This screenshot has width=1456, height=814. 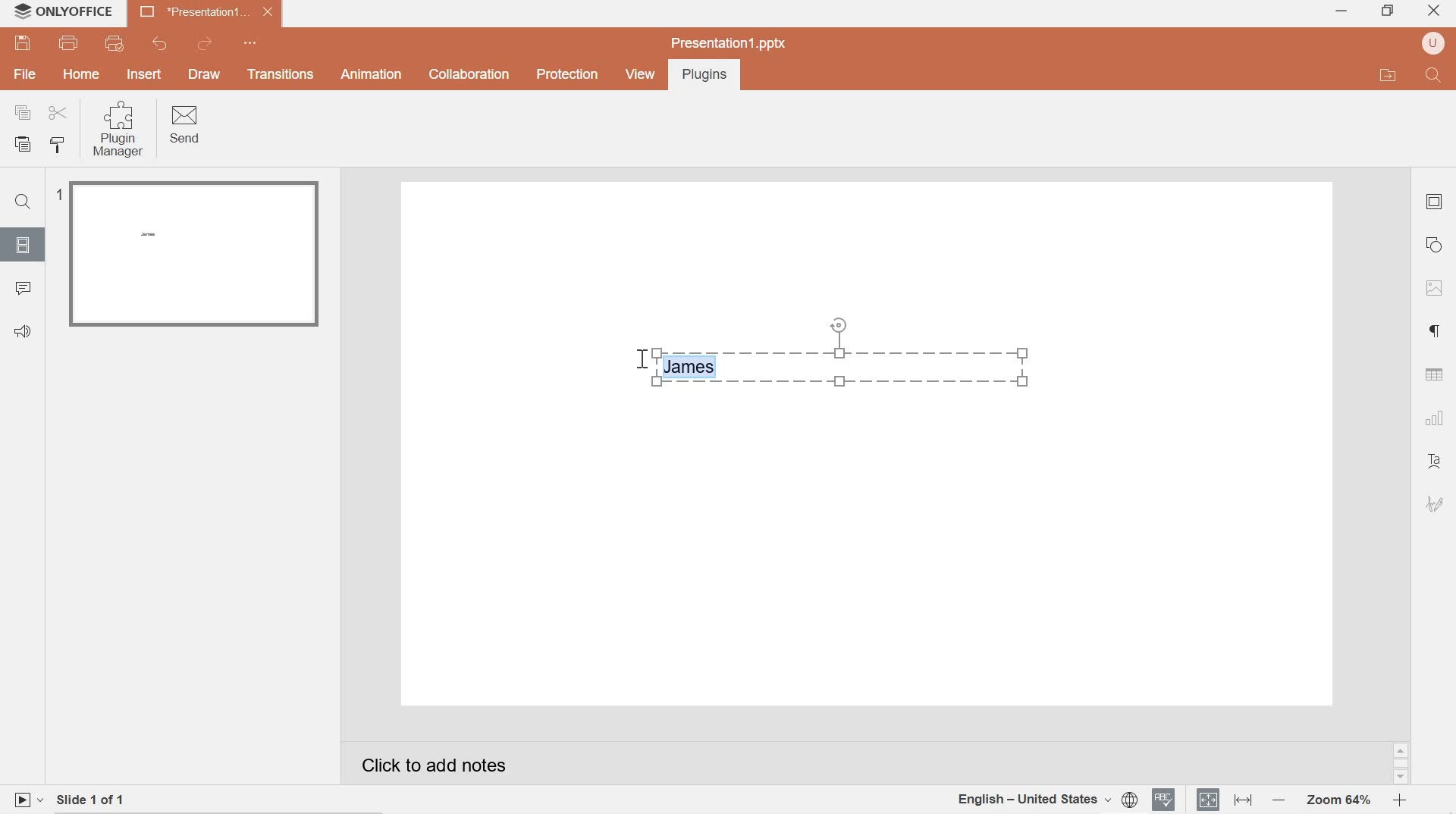 I want to click on undo, so click(x=157, y=44).